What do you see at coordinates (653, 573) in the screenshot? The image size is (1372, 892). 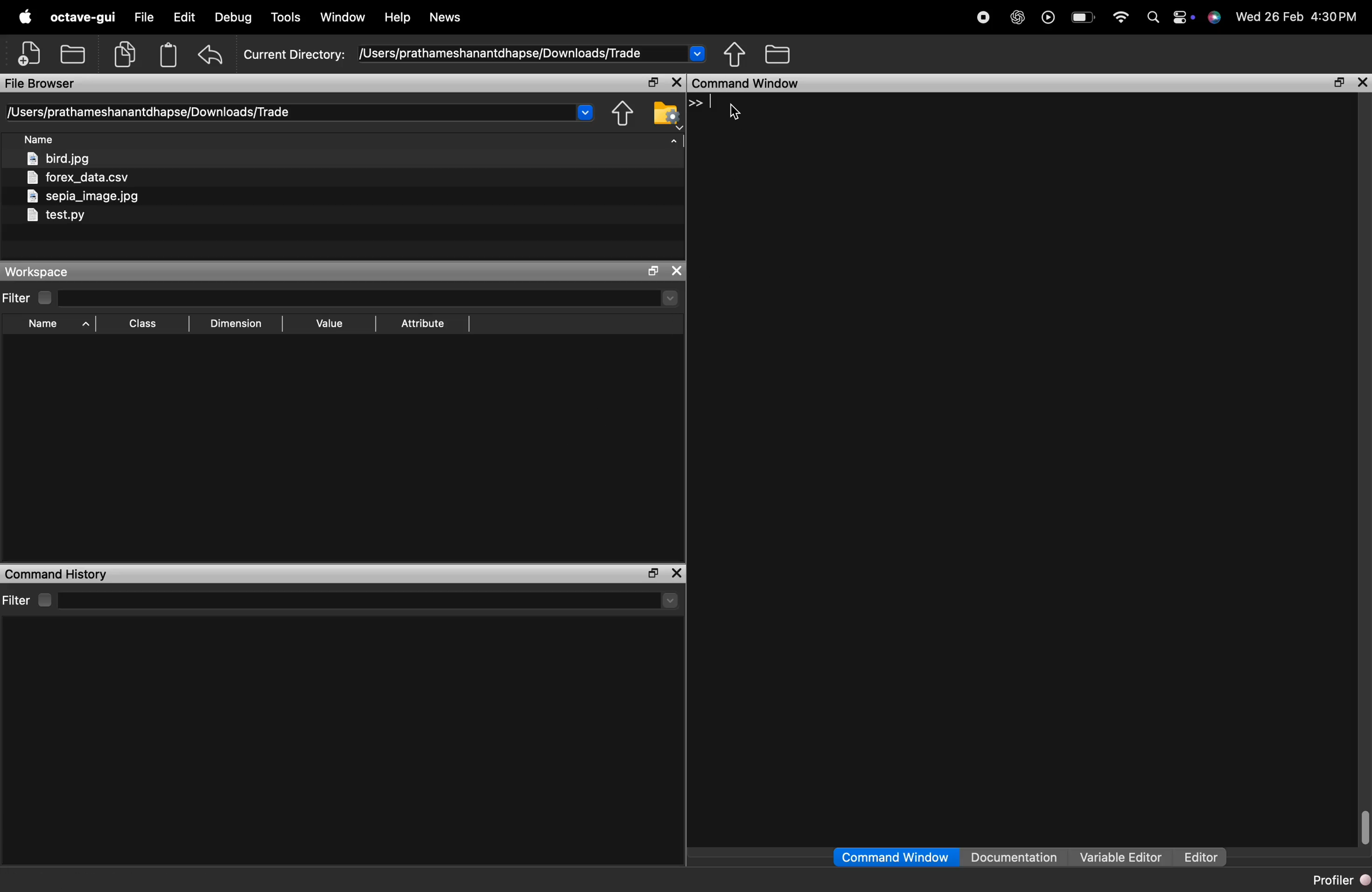 I see `open in separate window` at bounding box center [653, 573].